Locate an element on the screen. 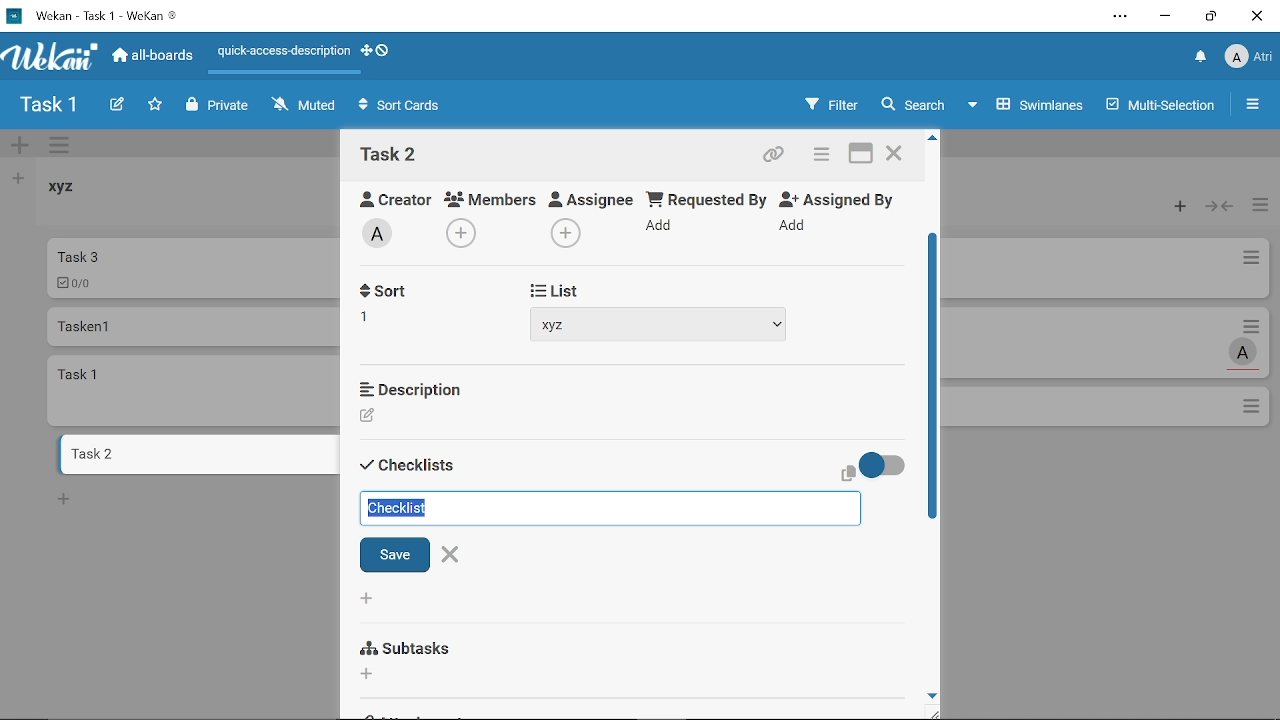 The image size is (1280, 720). Create is located at coordinates (116, 106).